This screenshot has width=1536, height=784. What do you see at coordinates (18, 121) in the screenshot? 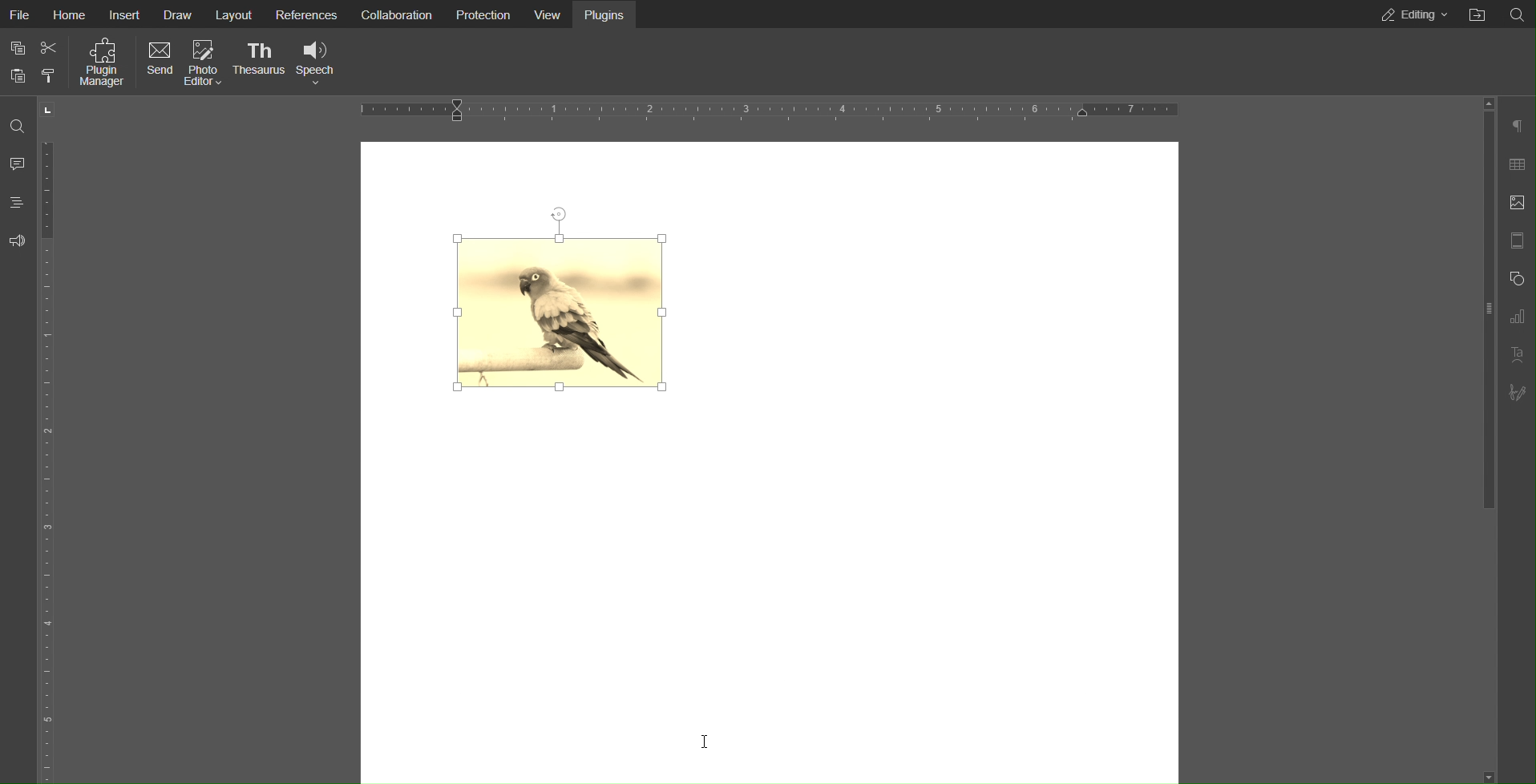
I see `Search` at bounding box center [18, 121].